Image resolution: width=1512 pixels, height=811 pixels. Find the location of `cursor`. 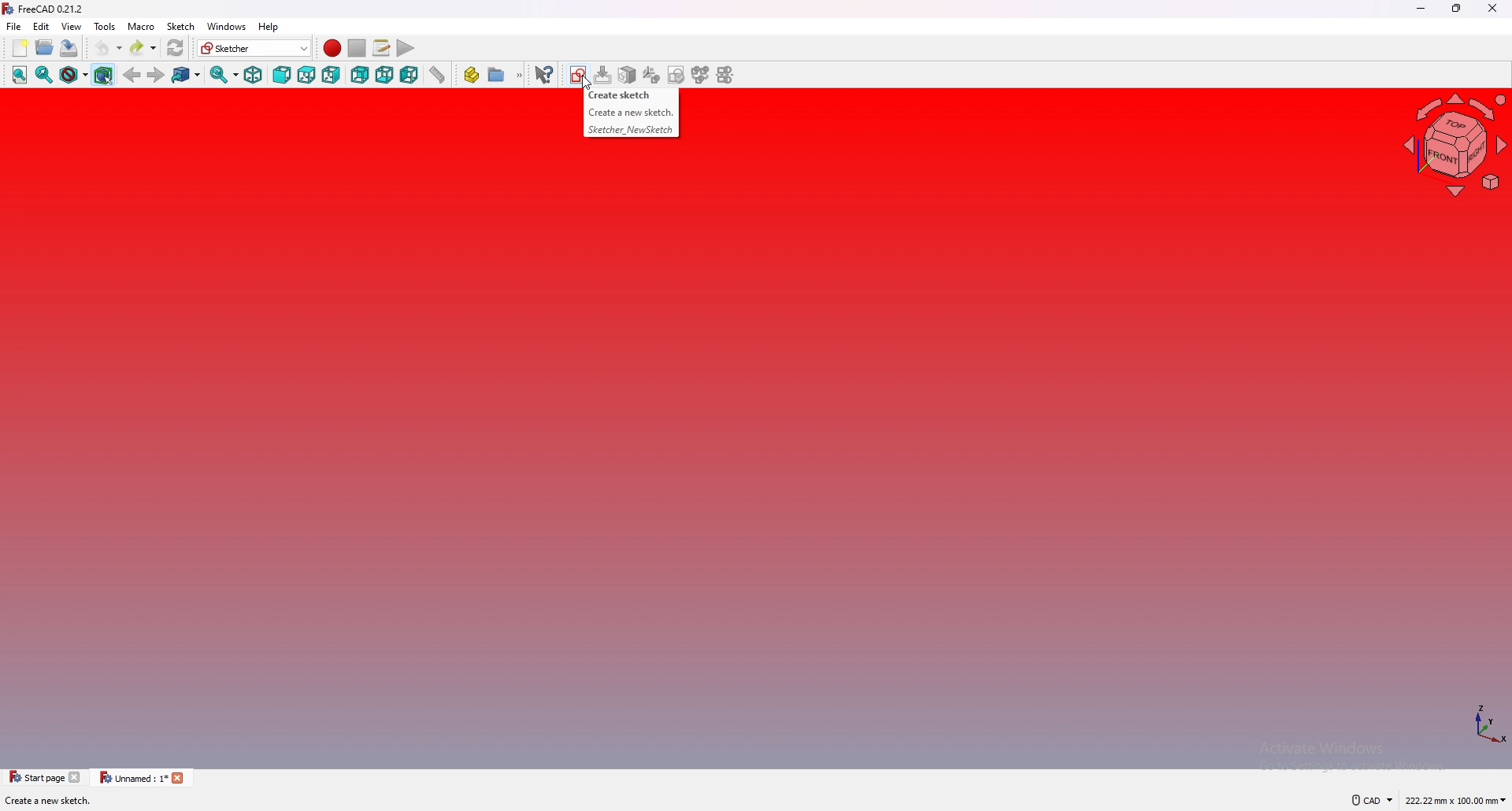

cursor is located at coordinates (586, 83).